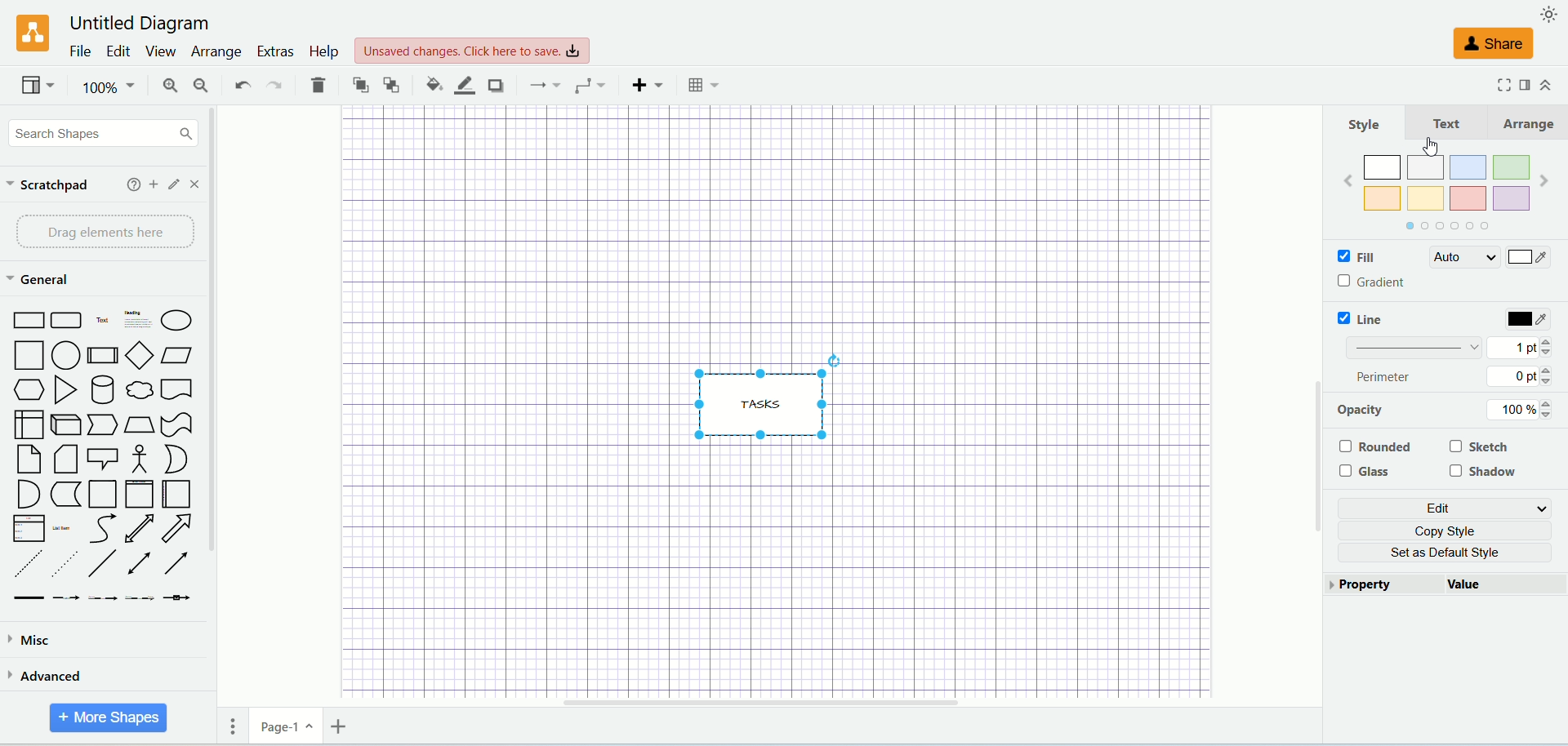 Image resolution: width=1568 pixels, height=746 pixels. I want to click on And, so click(27, 494).